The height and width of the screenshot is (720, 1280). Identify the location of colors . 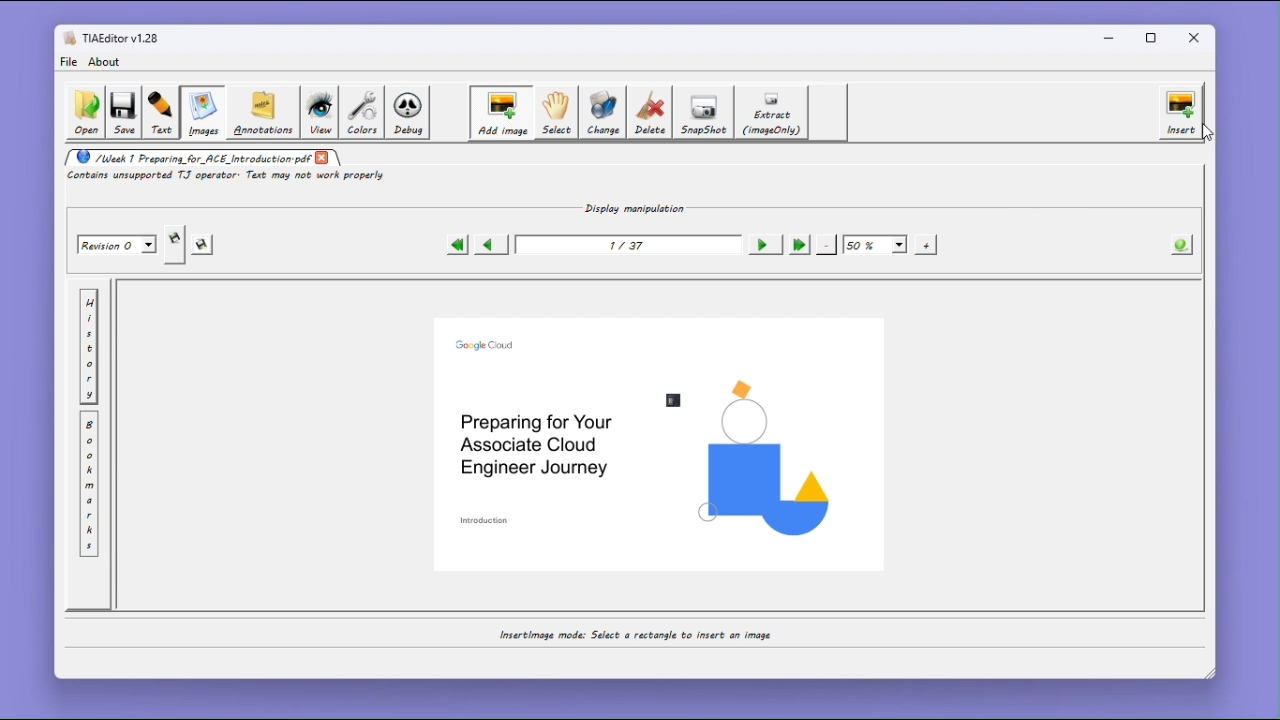
(362, 112).